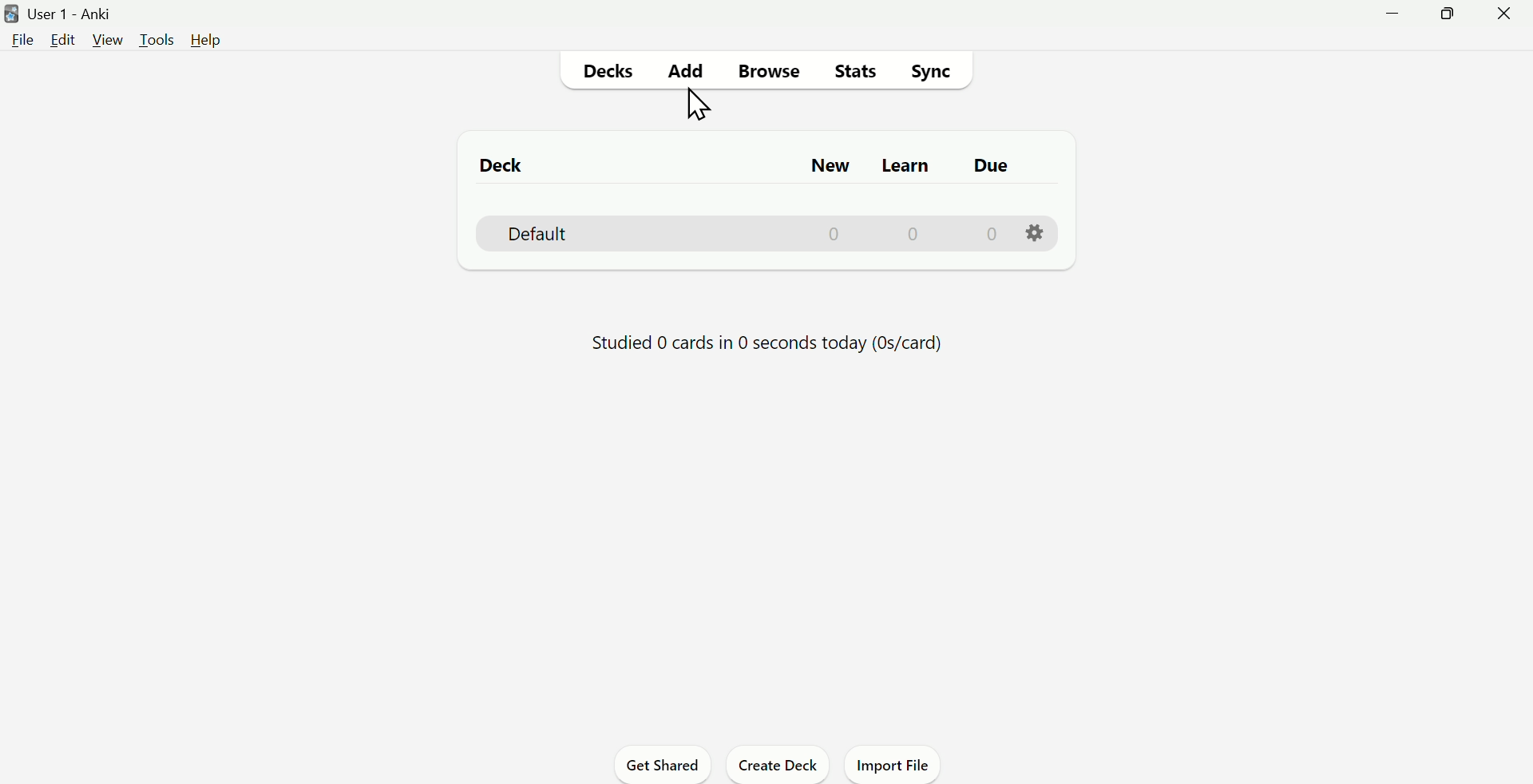 This screenshot has height=784, width=1533. Describe the element at coordinates (826, 164) in the screenshot. I see `New` at that location.